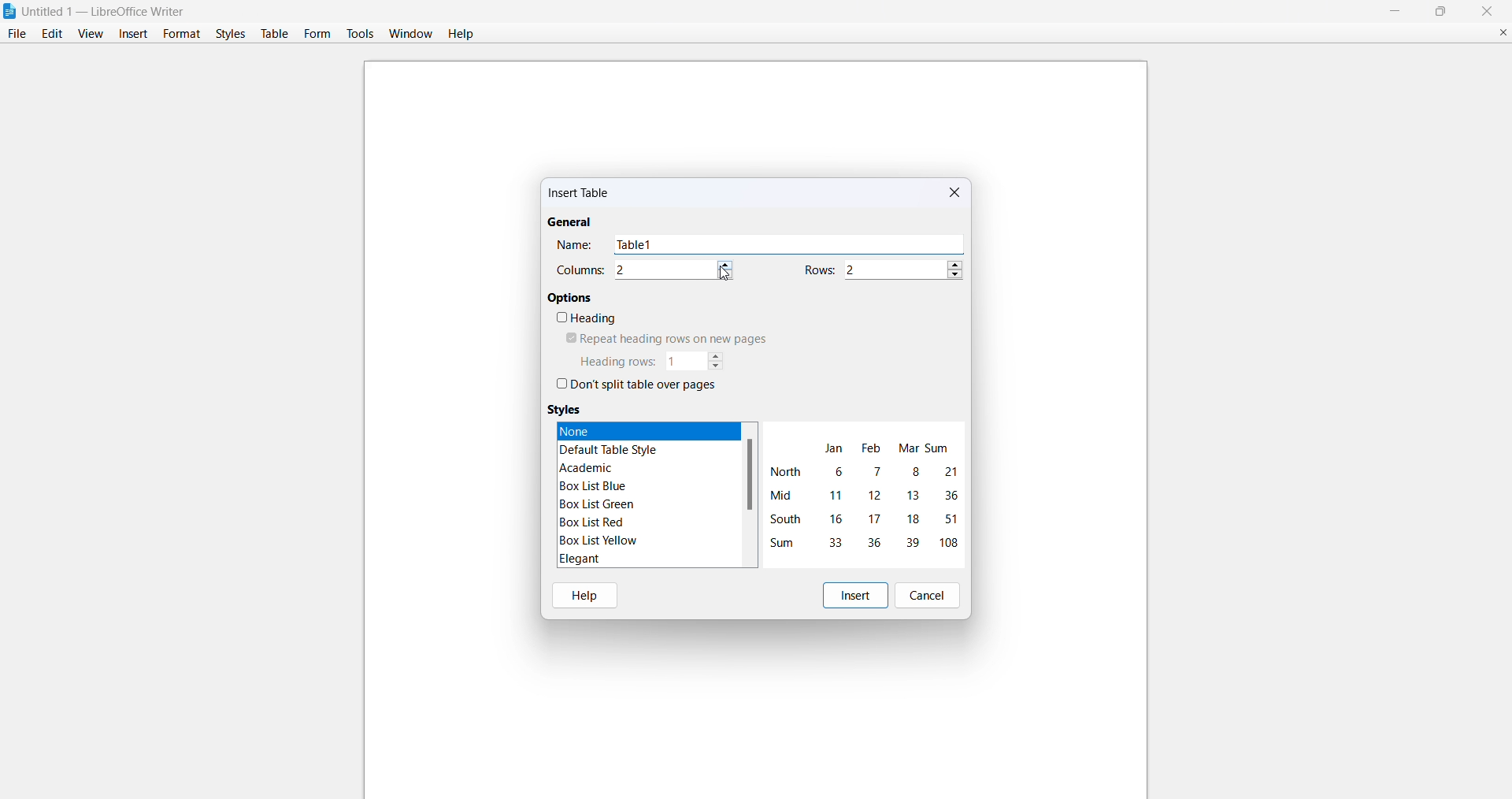 The height and width of the screenshot is (799, 1512). Describe the element at coordinates (728, 262) in the screenshot. I see `increase column` at that location.